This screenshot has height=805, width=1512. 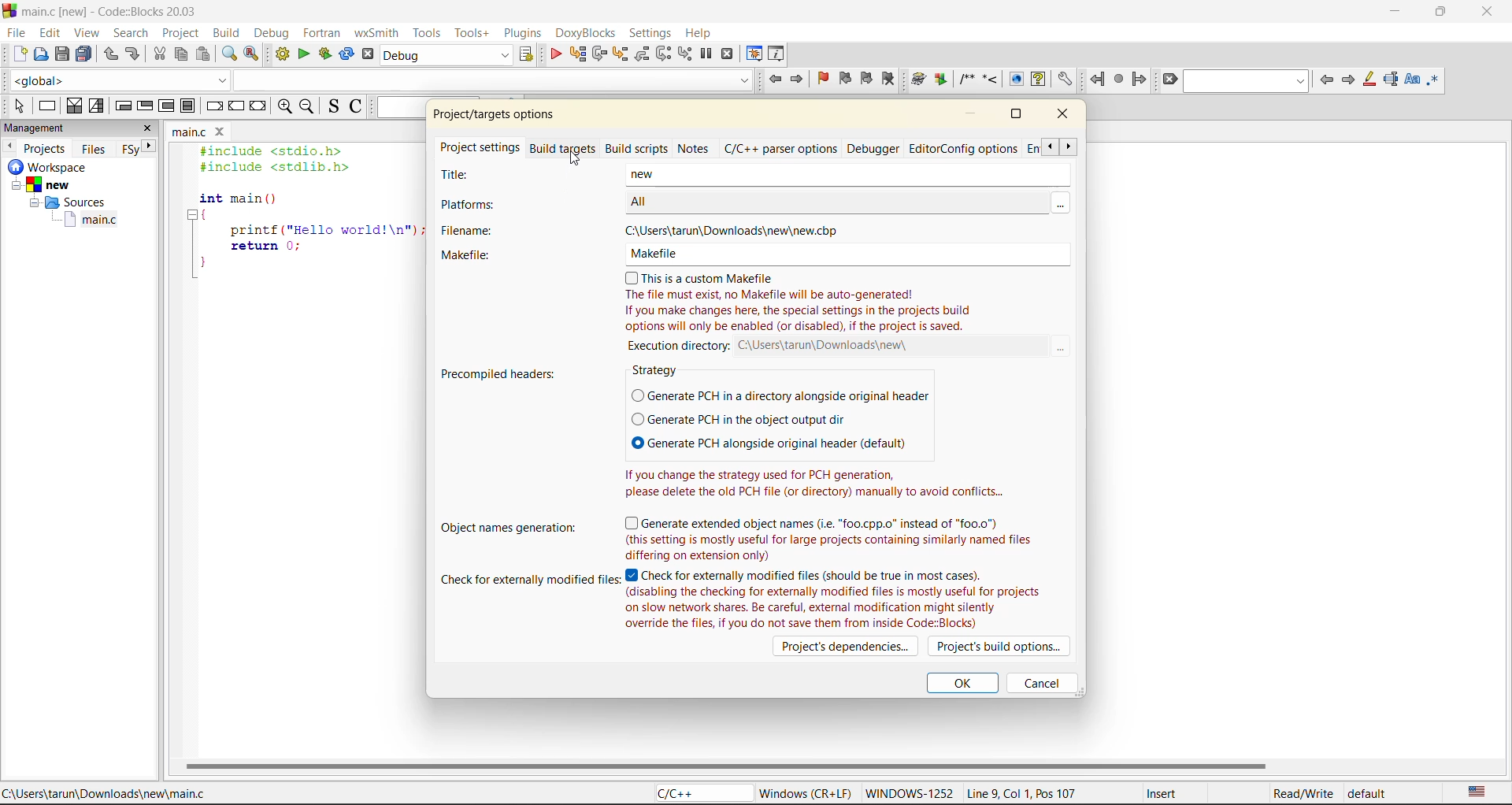 I want to click on default, so click(x=1372, y=796).